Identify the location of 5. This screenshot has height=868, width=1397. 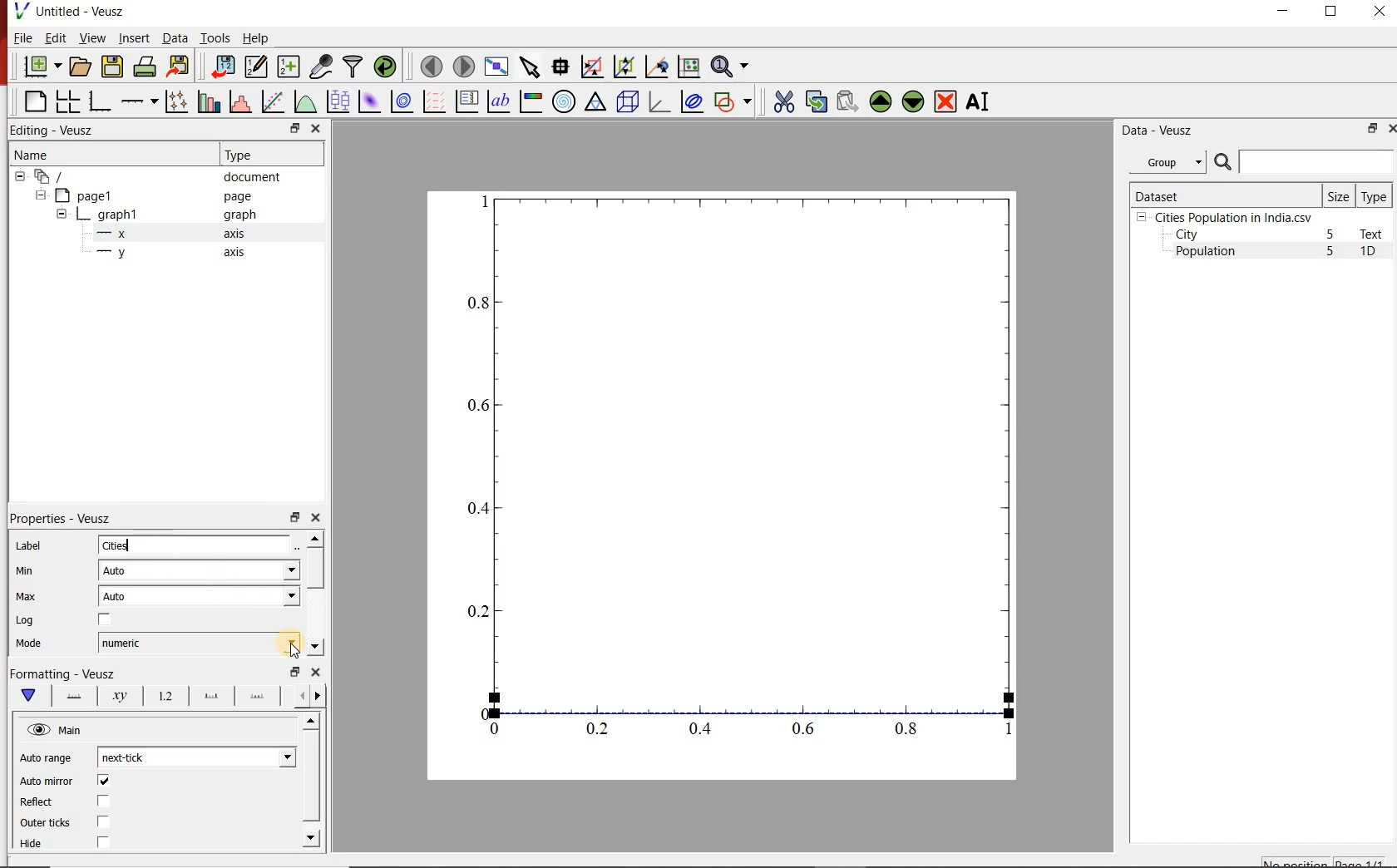
(1331, 235).